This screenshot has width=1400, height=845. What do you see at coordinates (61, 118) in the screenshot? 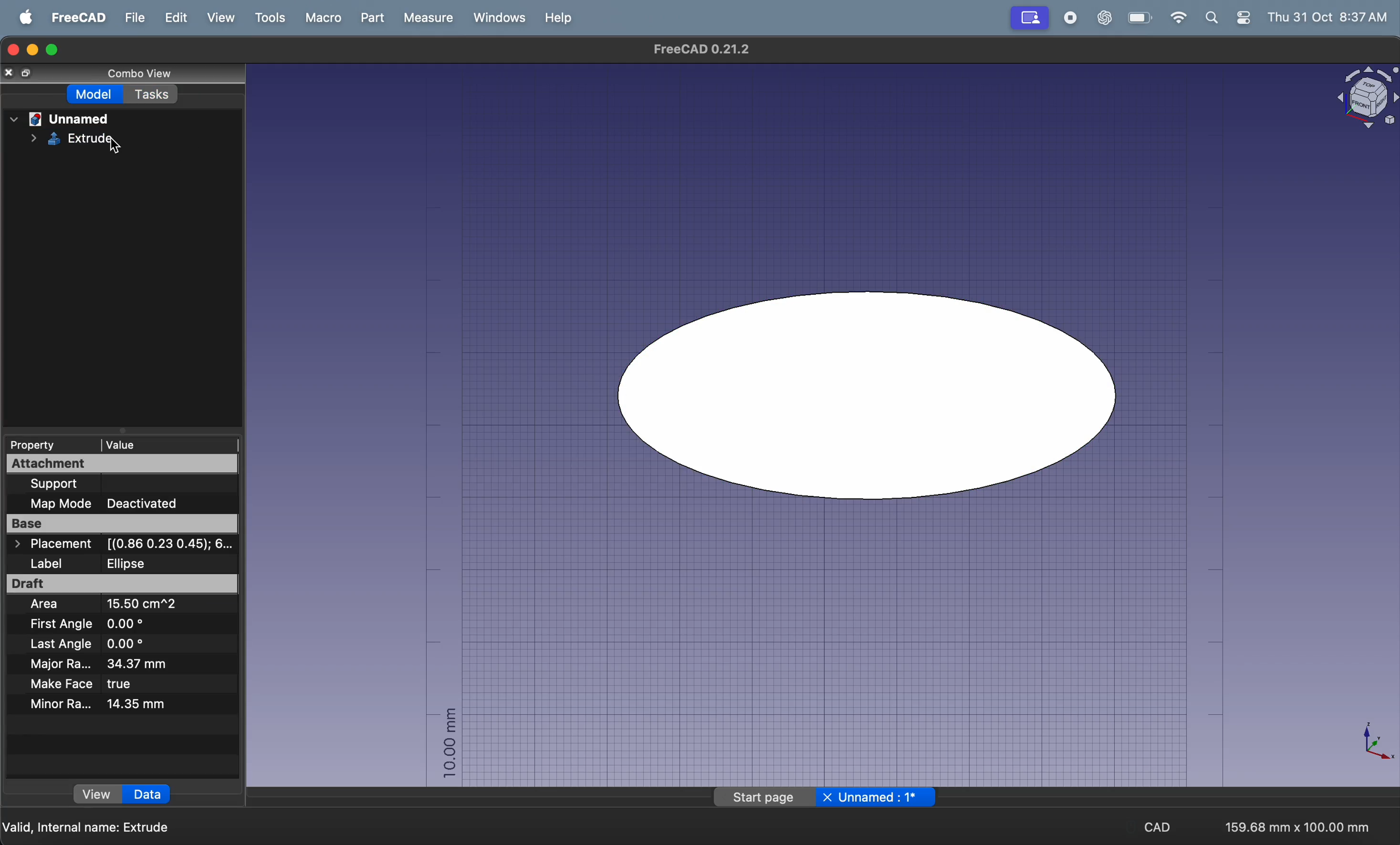
I see `unnamed file` at bounding box center [61, 118].